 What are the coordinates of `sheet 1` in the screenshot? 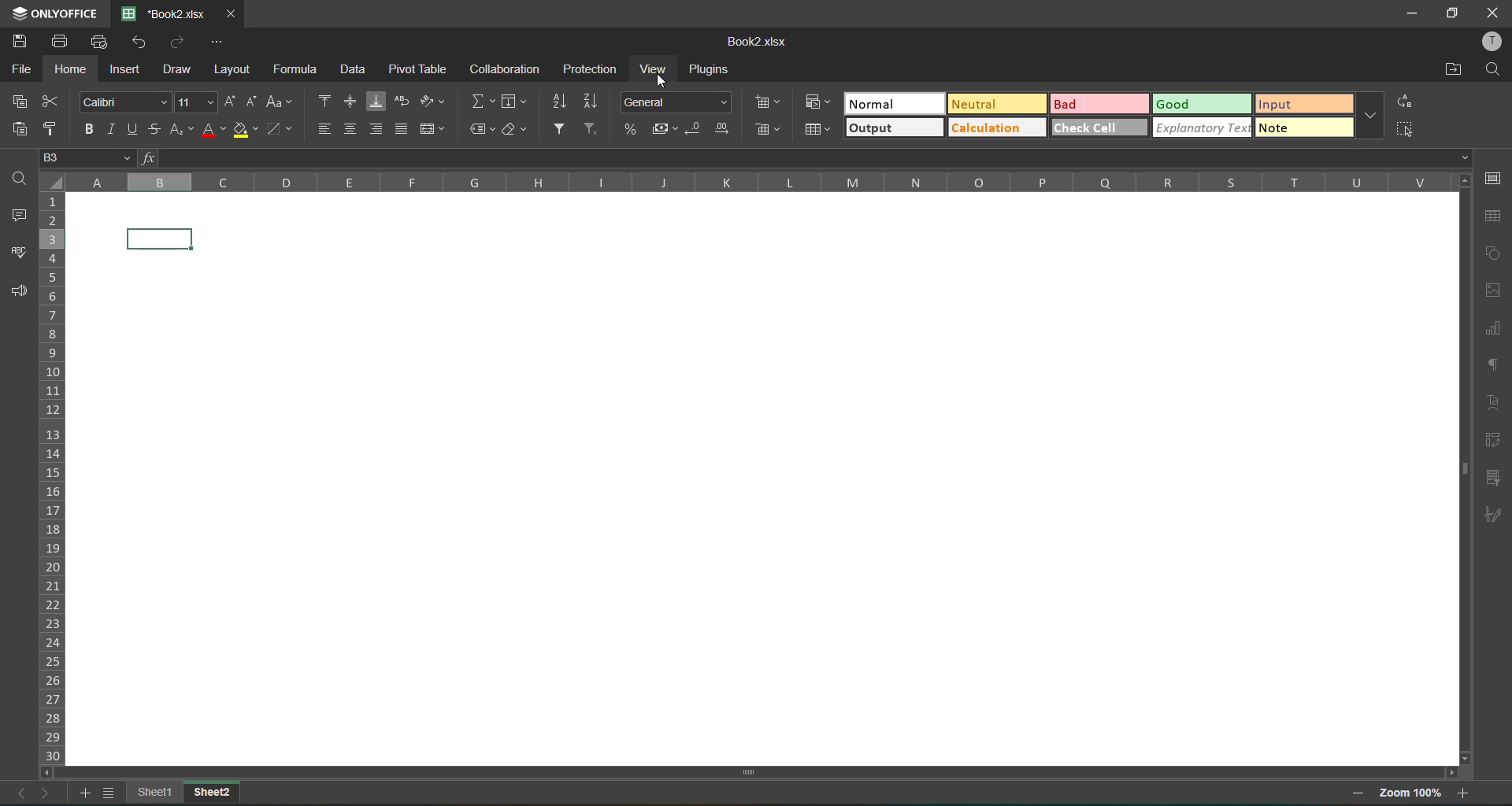 It's located at (155, 794).